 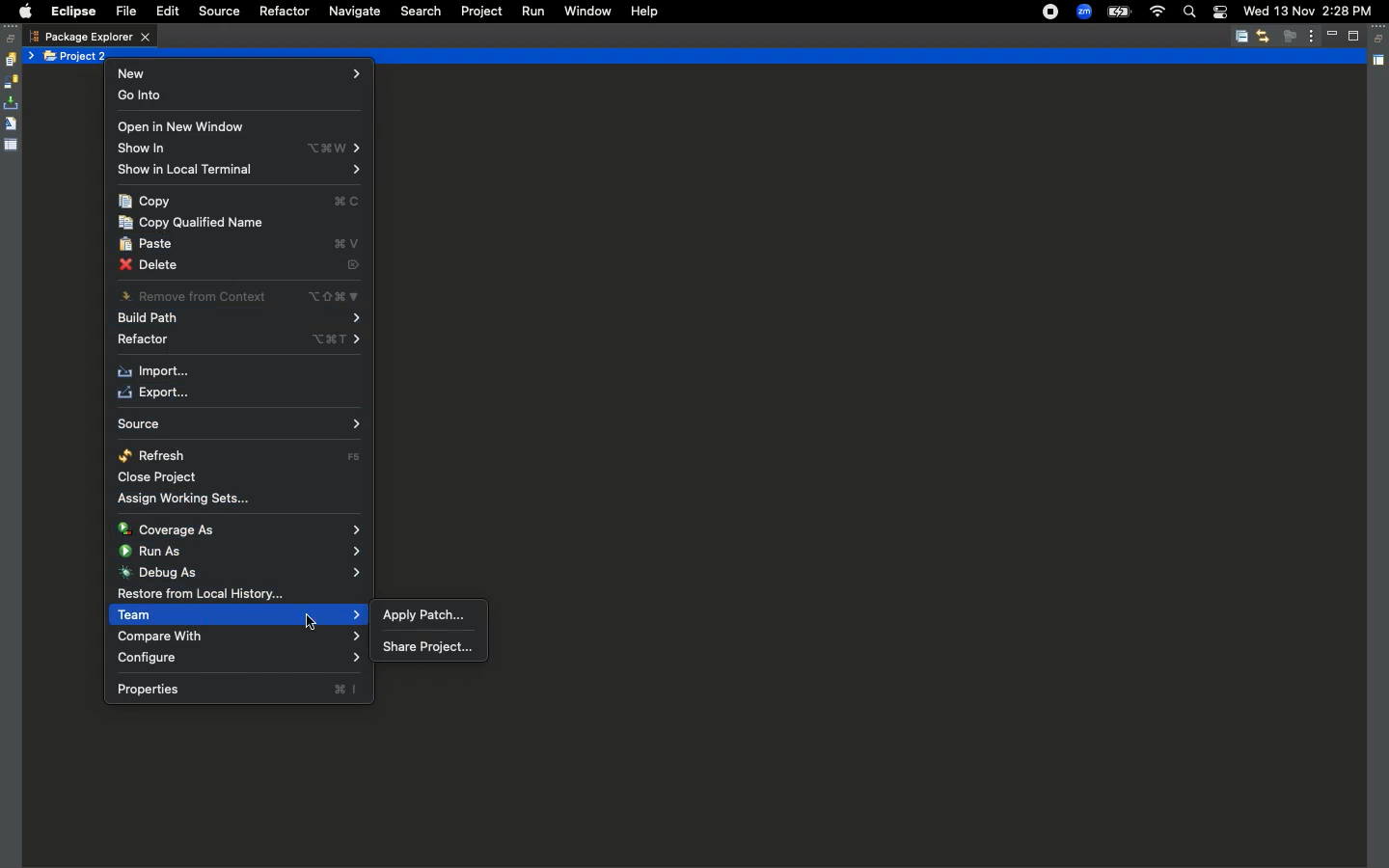 What do you see at coordinates (1263, 36) in the screenshot?
I see `Link with editor` at bounding box center [1263, 36].